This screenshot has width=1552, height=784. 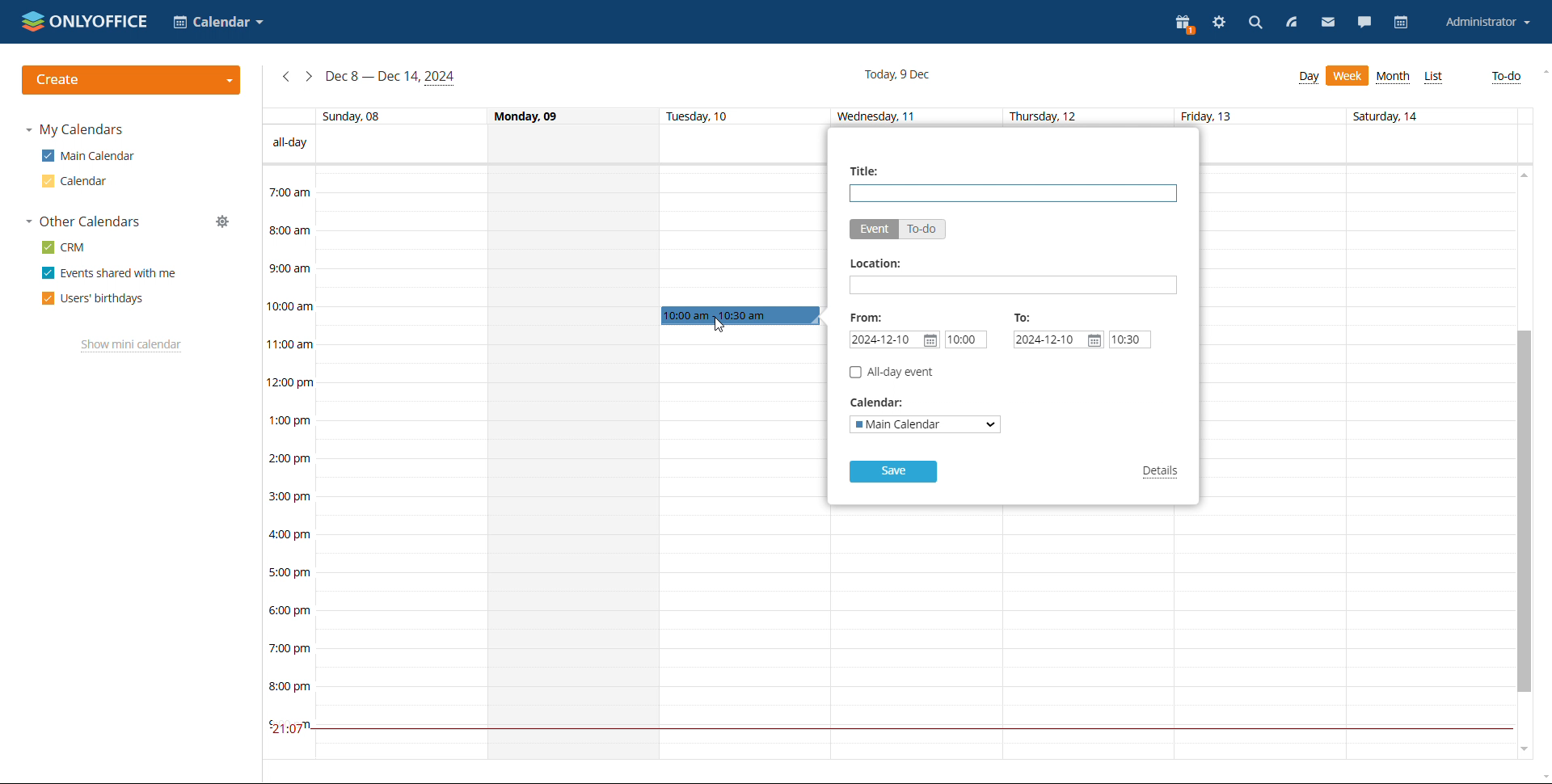 I want to click on main calendar, so click(x=88, y=156).